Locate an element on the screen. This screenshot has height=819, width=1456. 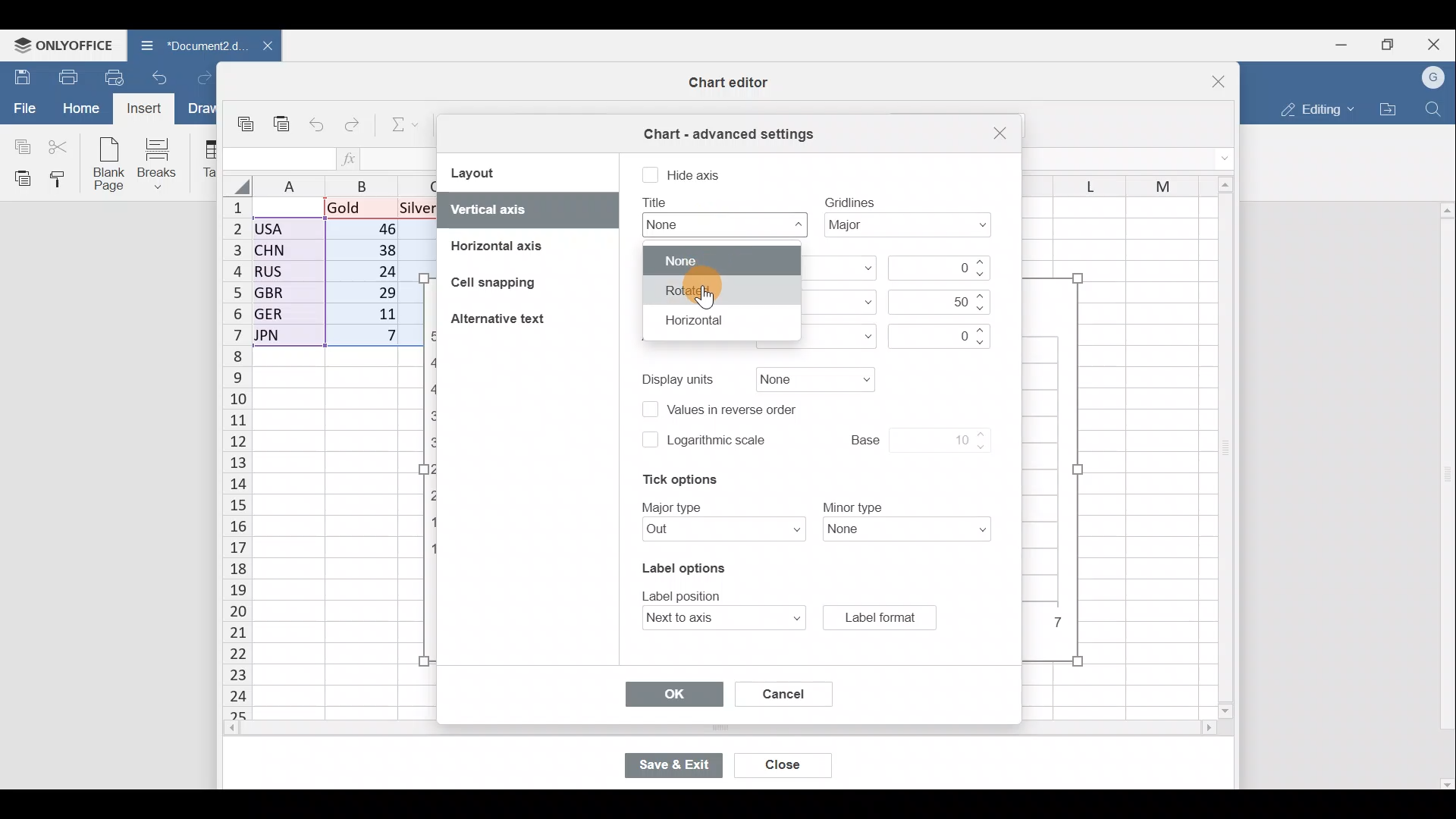
Find is located at coordinates (1434, 109).